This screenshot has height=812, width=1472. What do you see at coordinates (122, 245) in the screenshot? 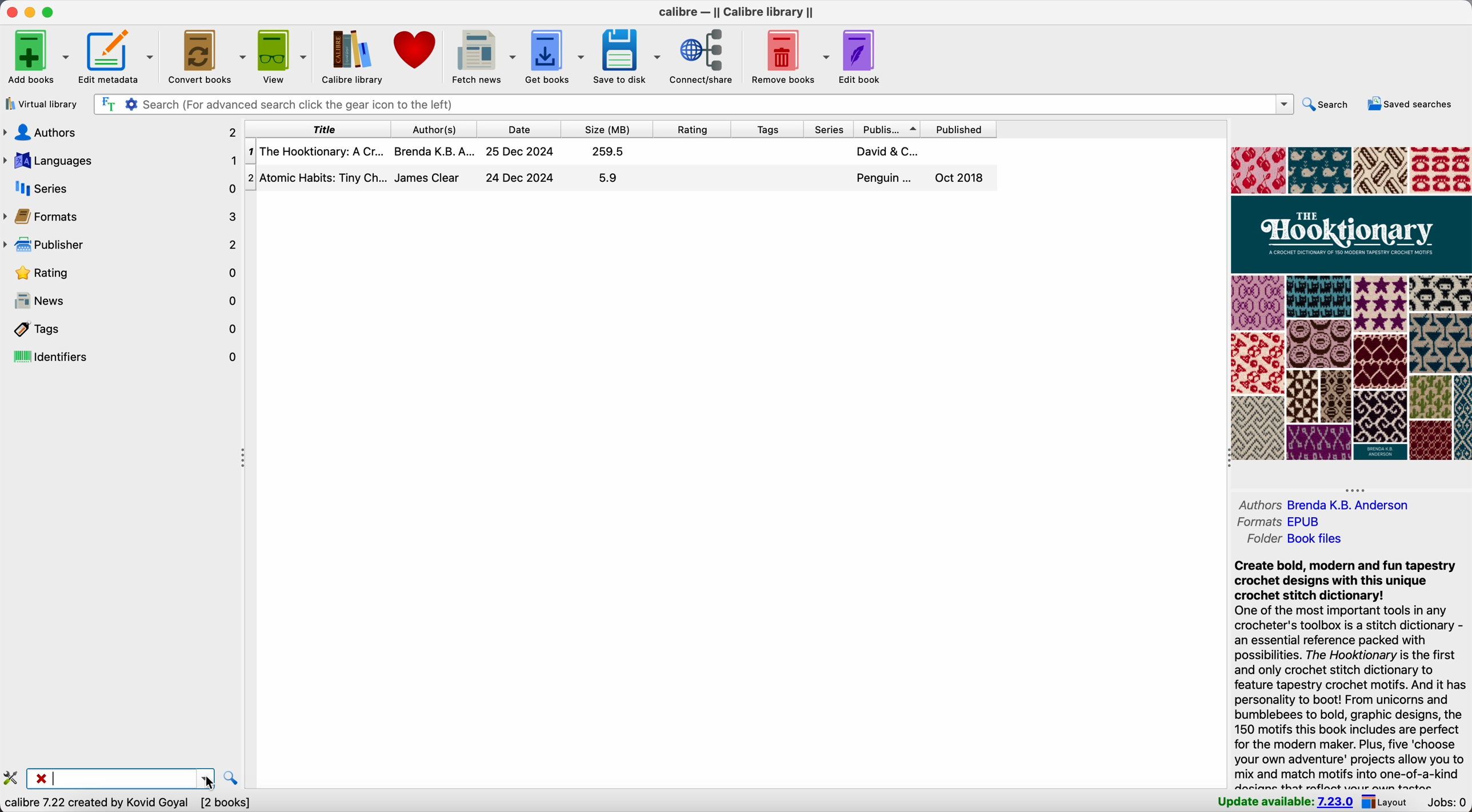
I see `publisher` at bounding box center [122, 245].